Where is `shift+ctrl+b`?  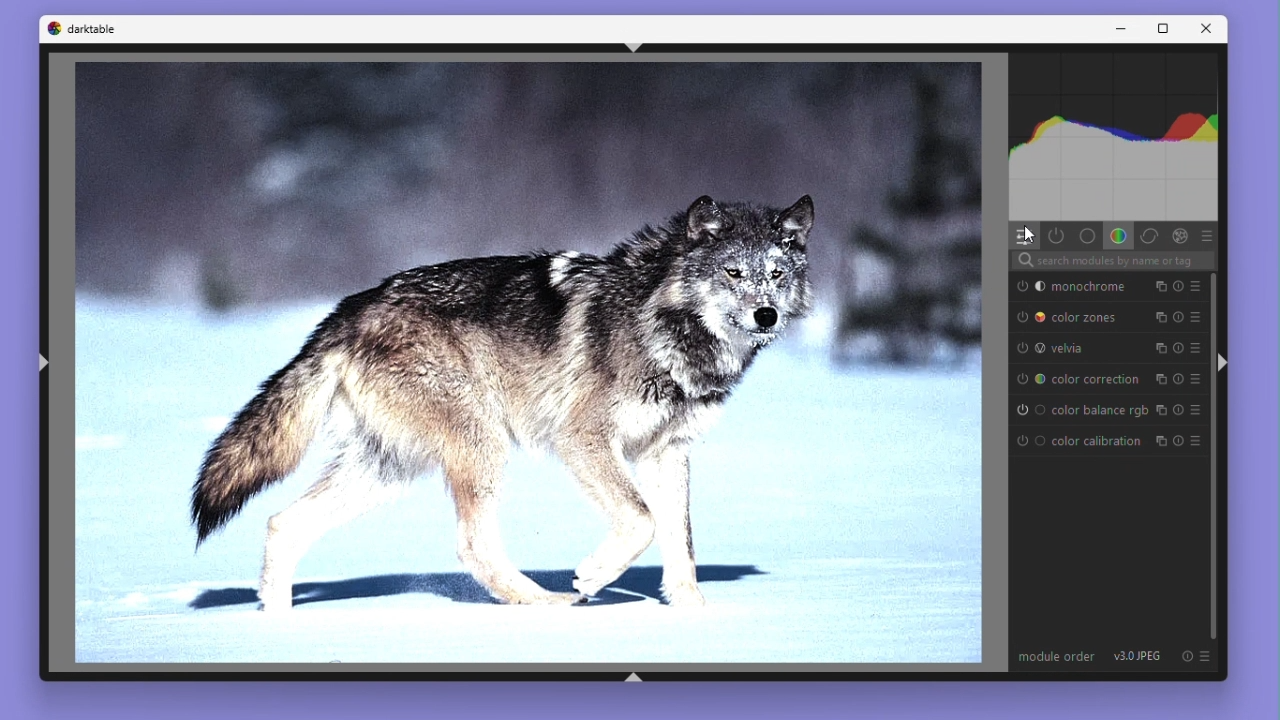 shift+ctrl+b is located at coordinates (637, 677).